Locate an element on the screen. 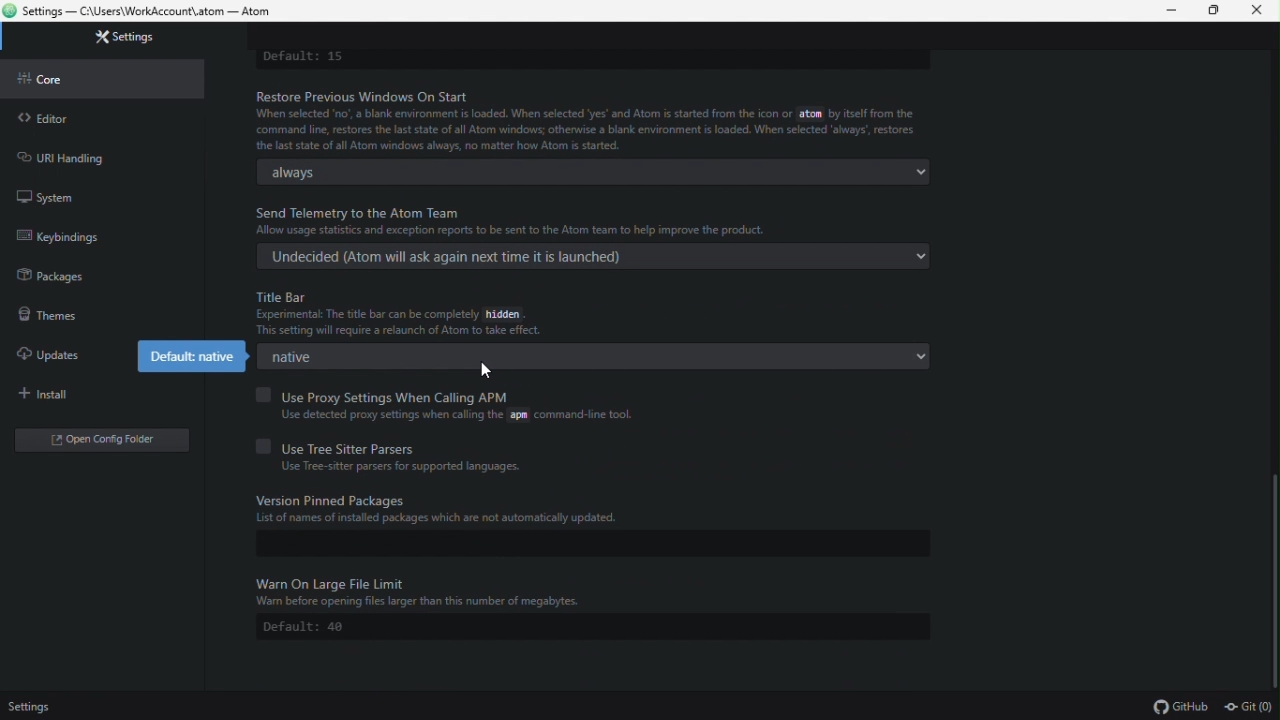  cursor is located at coordinates (486, 372).